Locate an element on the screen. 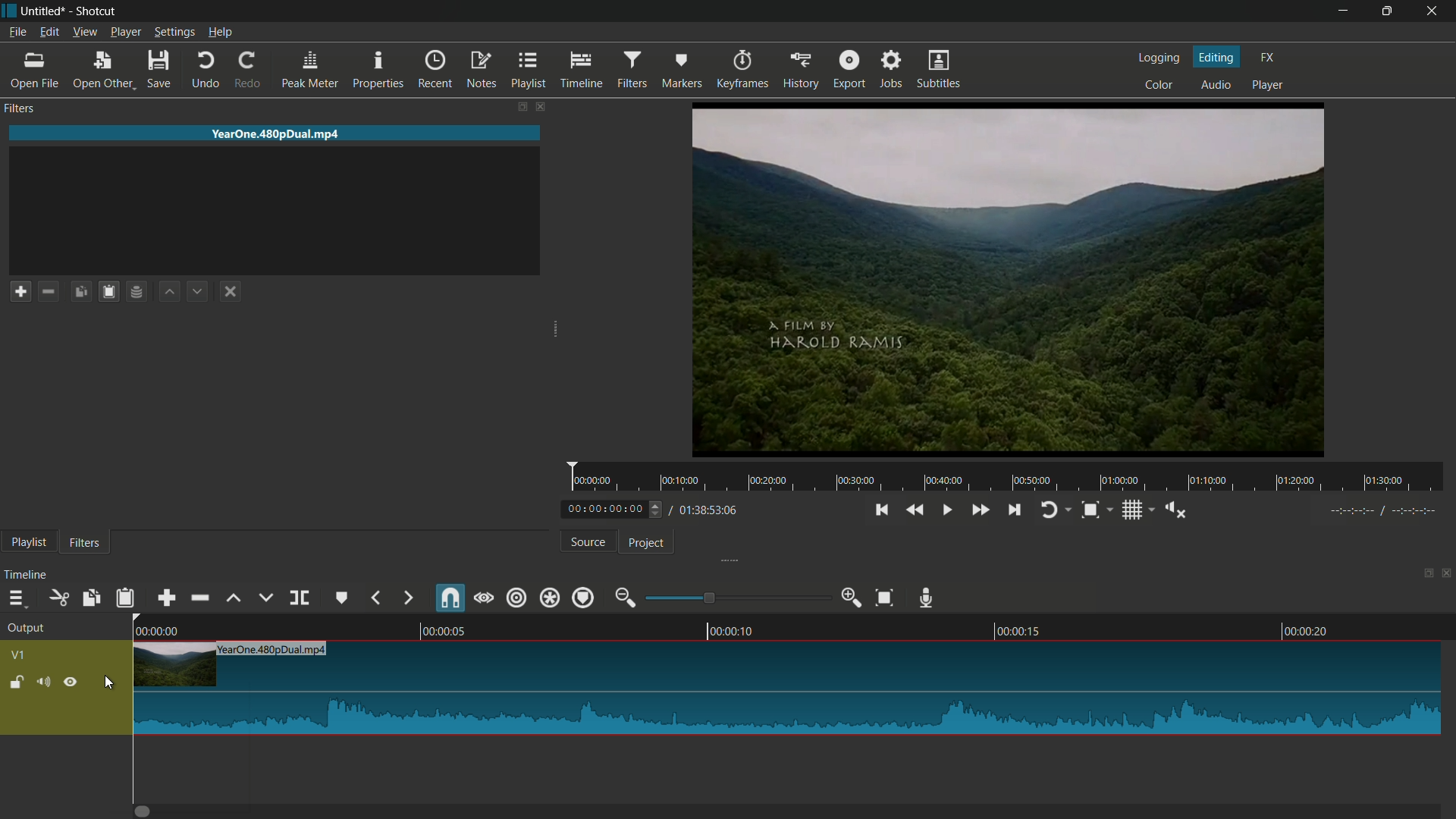 Image resolution: width=1456 pixels, height=819 pixels. output is located at coordinates (28, 629).